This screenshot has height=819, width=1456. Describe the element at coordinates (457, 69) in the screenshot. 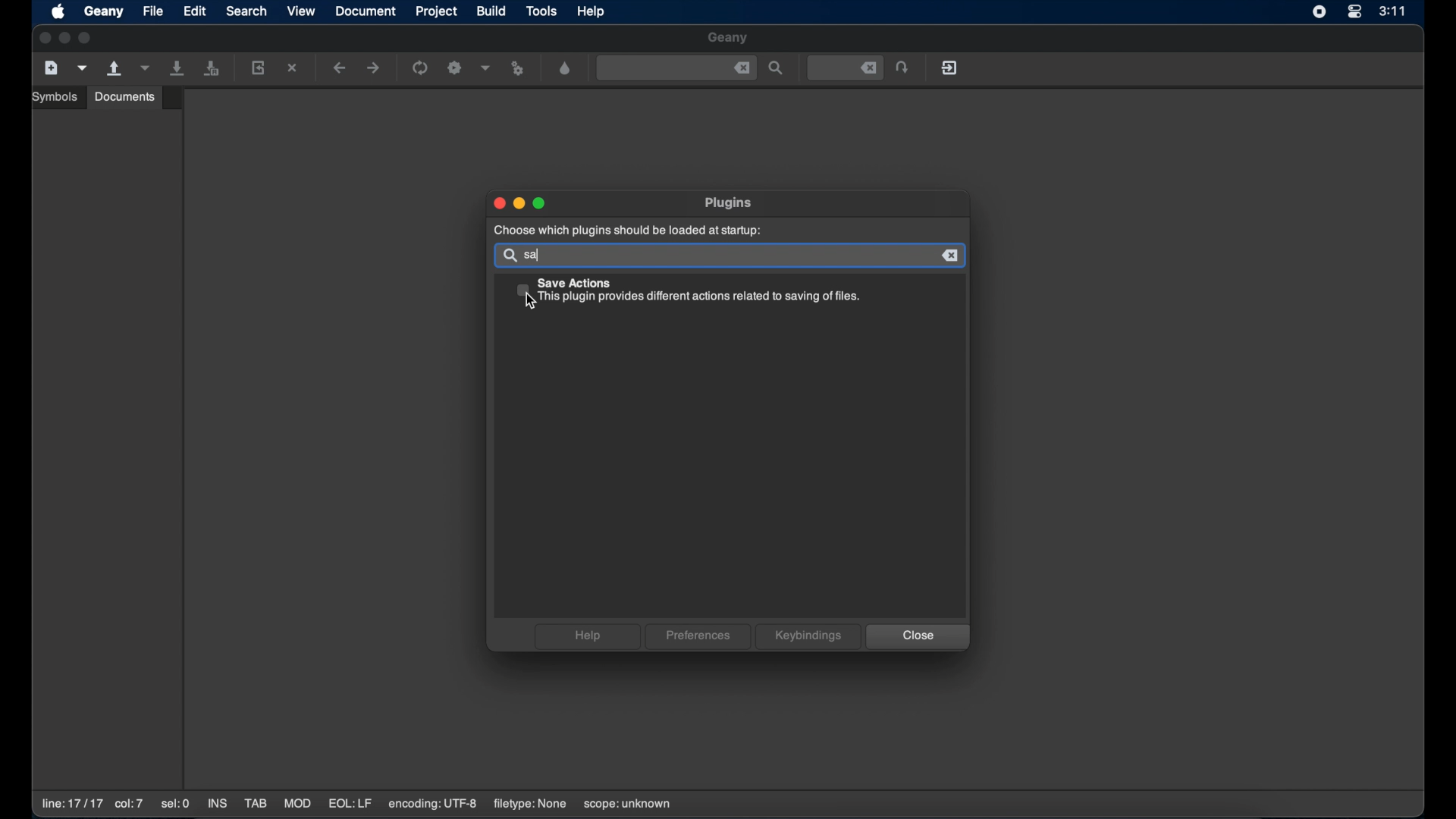

I see `build the current file` at that location.